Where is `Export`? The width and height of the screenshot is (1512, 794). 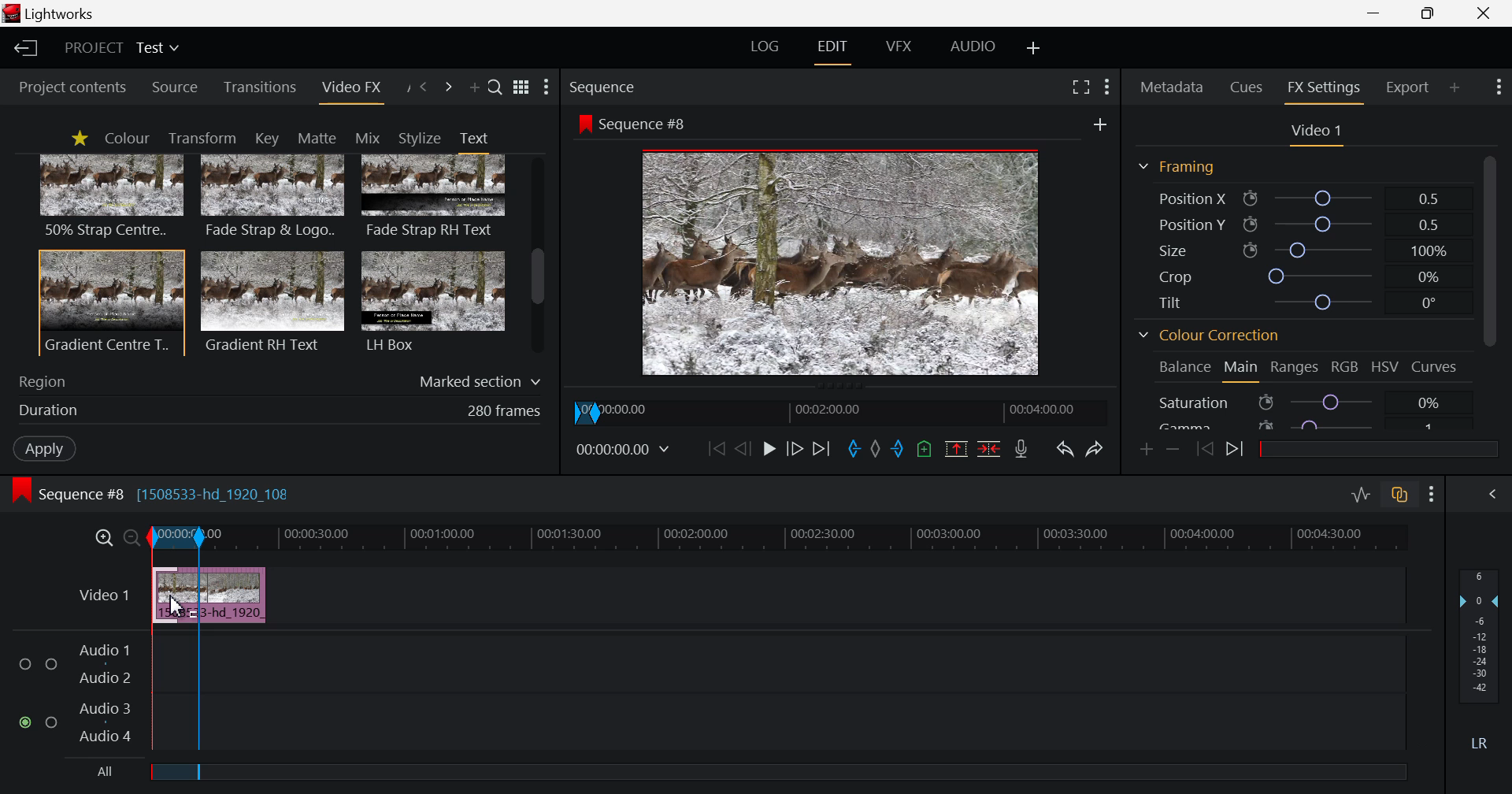
Export is located at coordinates (1408, 85).